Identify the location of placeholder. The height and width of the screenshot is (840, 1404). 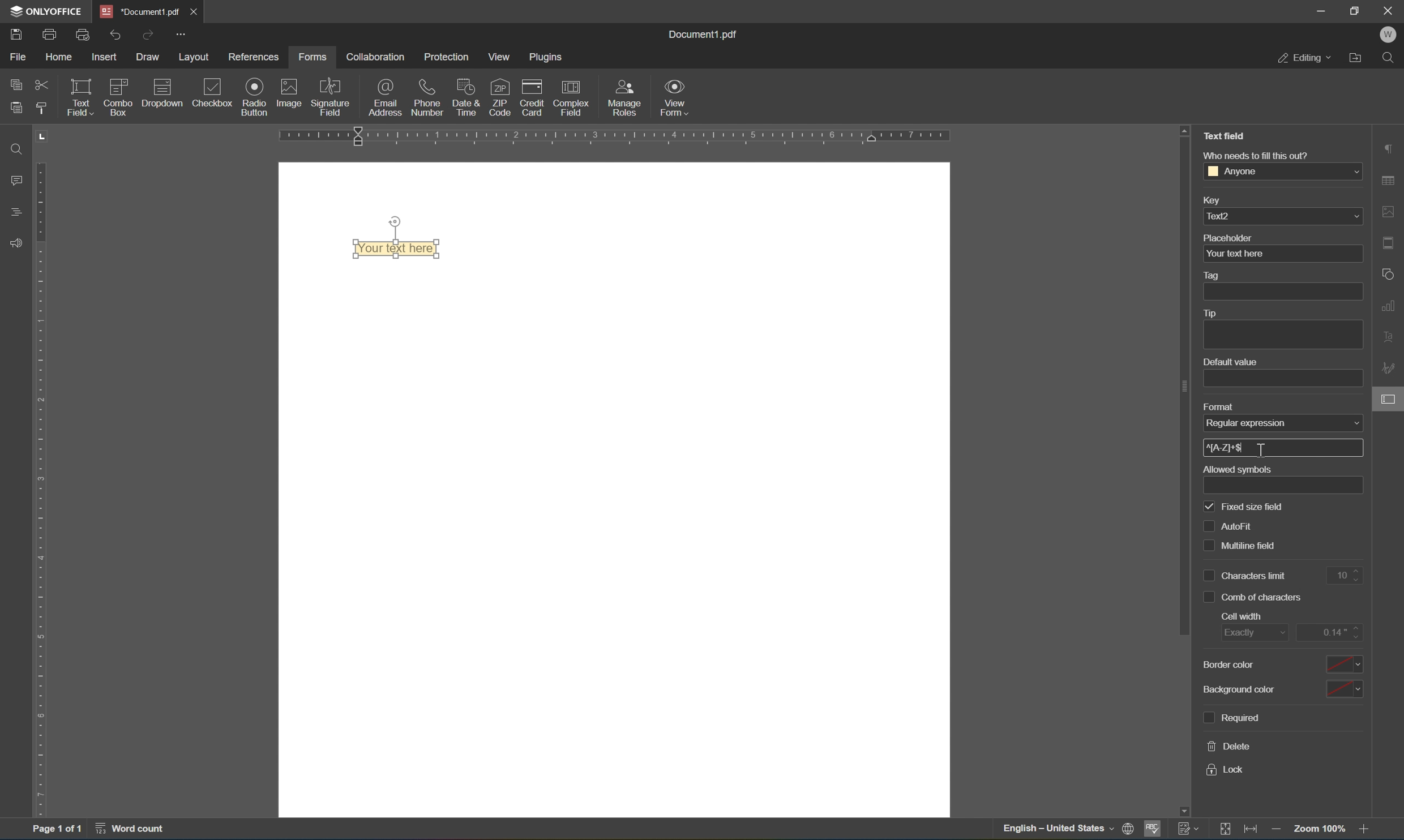
(1227, 237).